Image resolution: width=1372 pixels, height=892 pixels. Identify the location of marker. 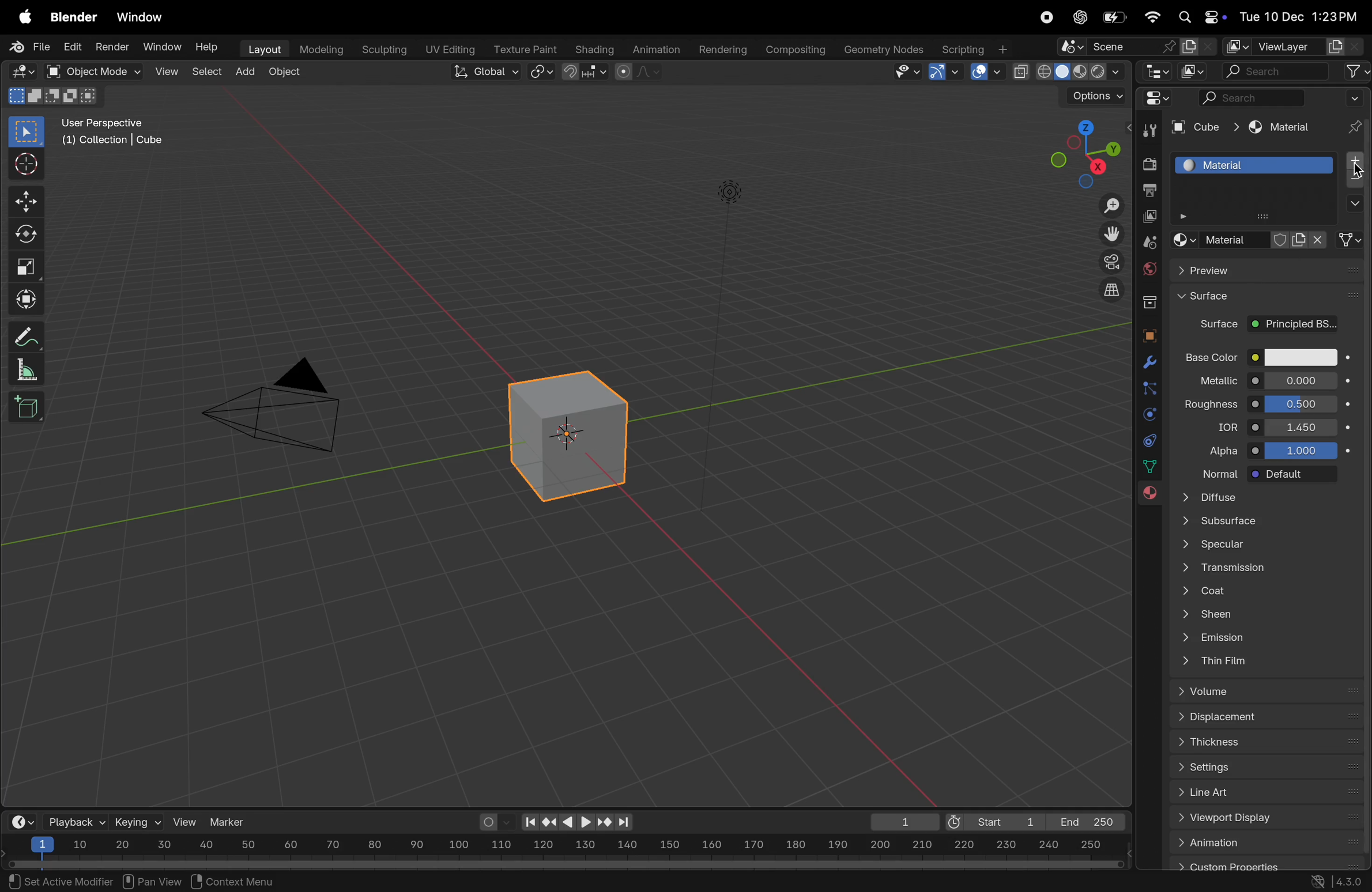
(232, 821).